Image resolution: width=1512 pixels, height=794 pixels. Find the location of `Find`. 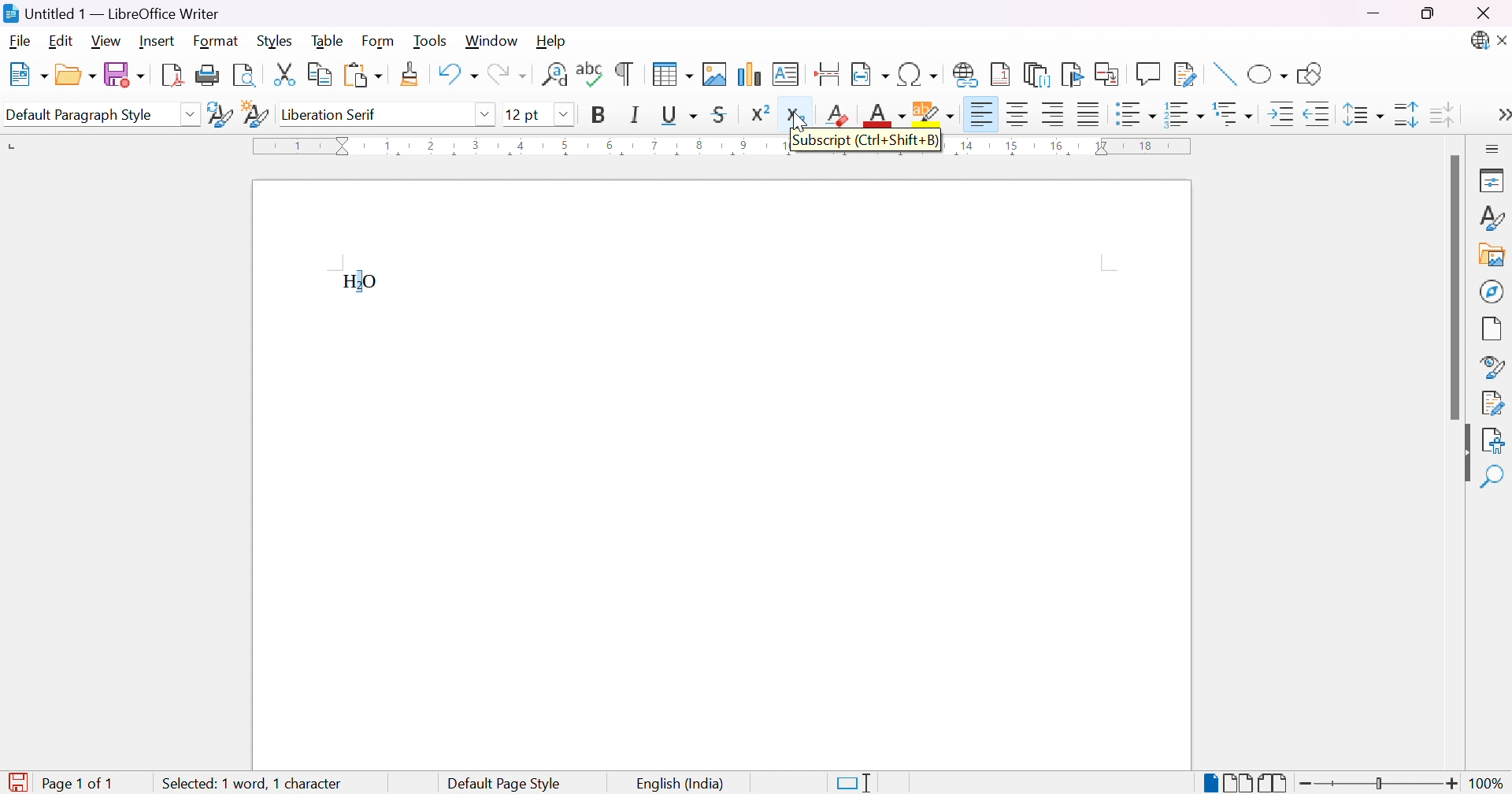

Find is located at coordinates (1492, 478).